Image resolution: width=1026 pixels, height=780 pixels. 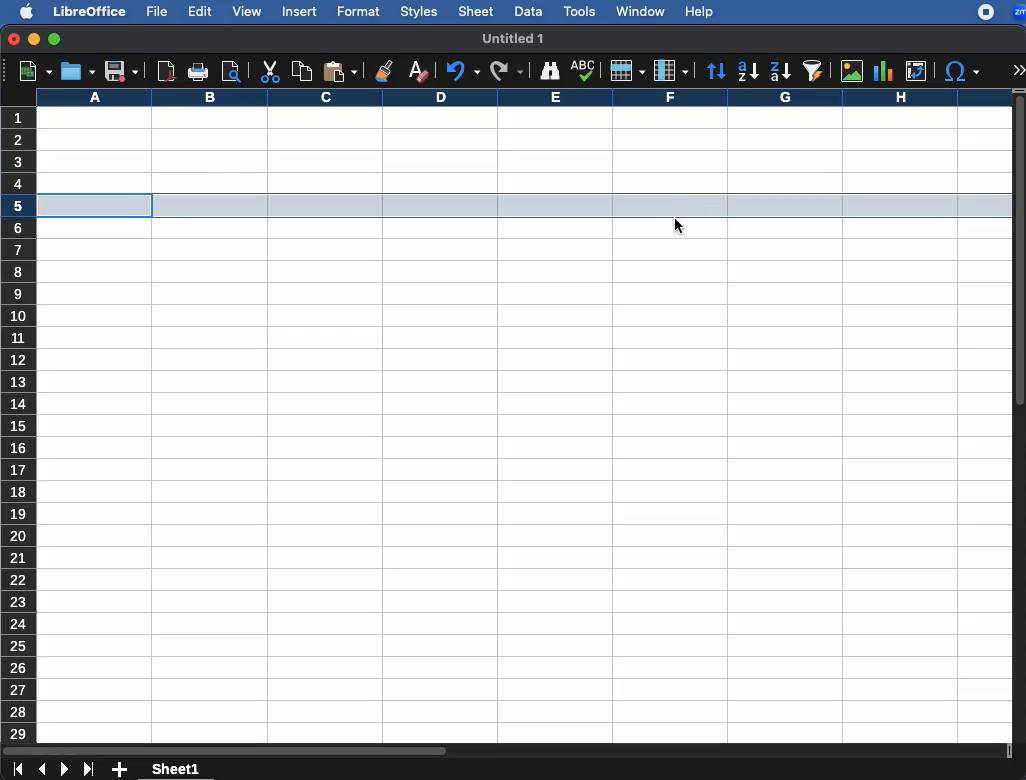 What do you see at coordinates (359, 12) in the screenshot?
I see `format` at bounding box center [359, 12].